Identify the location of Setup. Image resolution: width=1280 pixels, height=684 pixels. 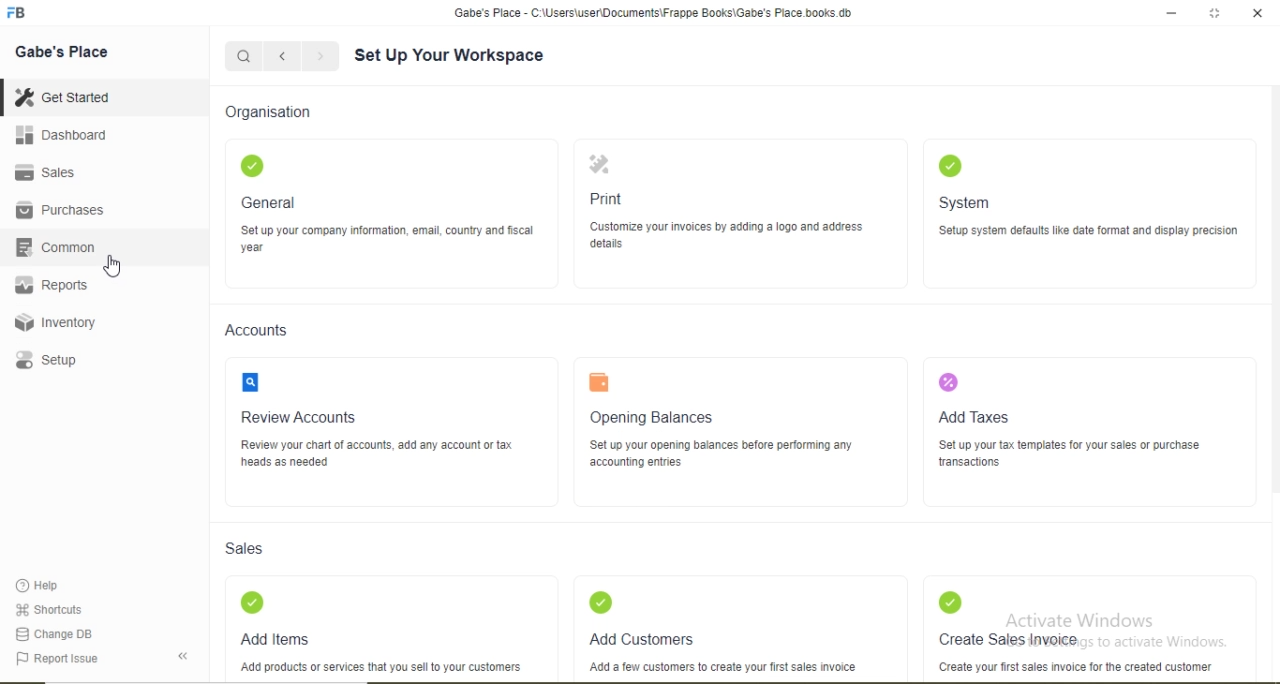
(45, 360).